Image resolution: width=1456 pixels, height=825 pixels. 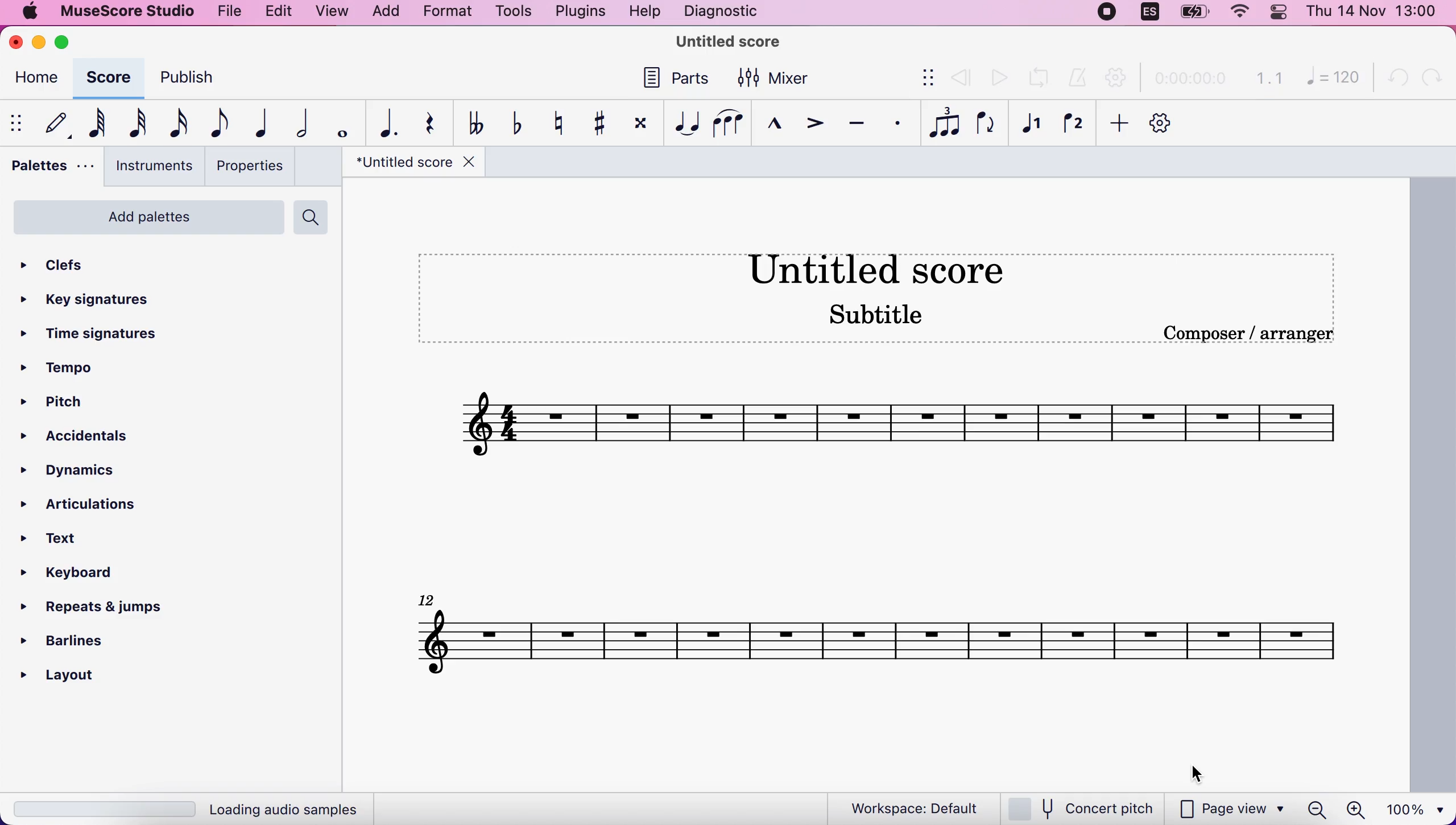 What do you see at coordinates (578, 13) in the screenshot?
I see `plugins` at bounding box center [578, 13].